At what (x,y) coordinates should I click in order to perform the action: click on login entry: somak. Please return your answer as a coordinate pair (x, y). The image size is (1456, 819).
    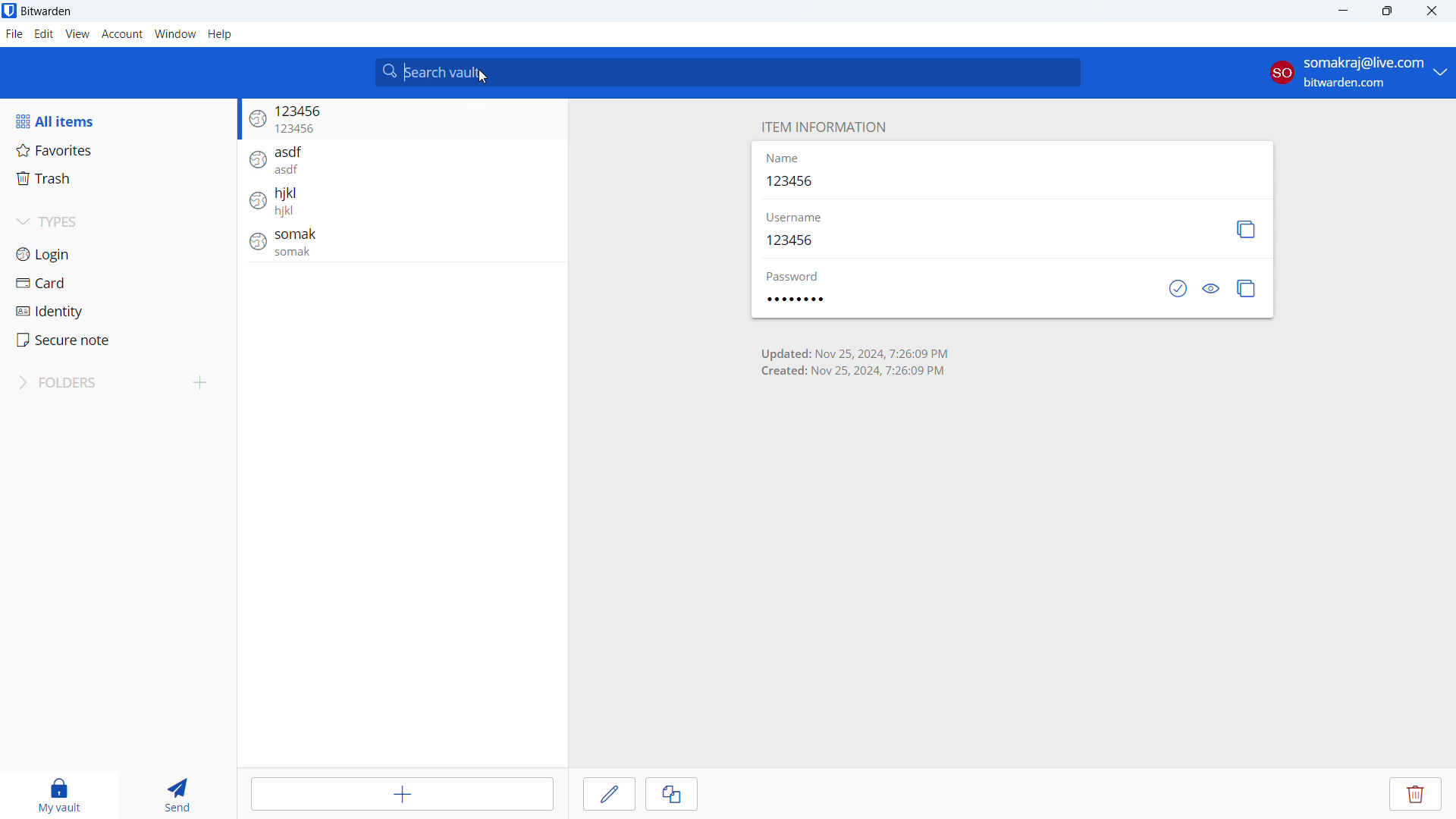
    Looking at the image, I should click on (394, 246).